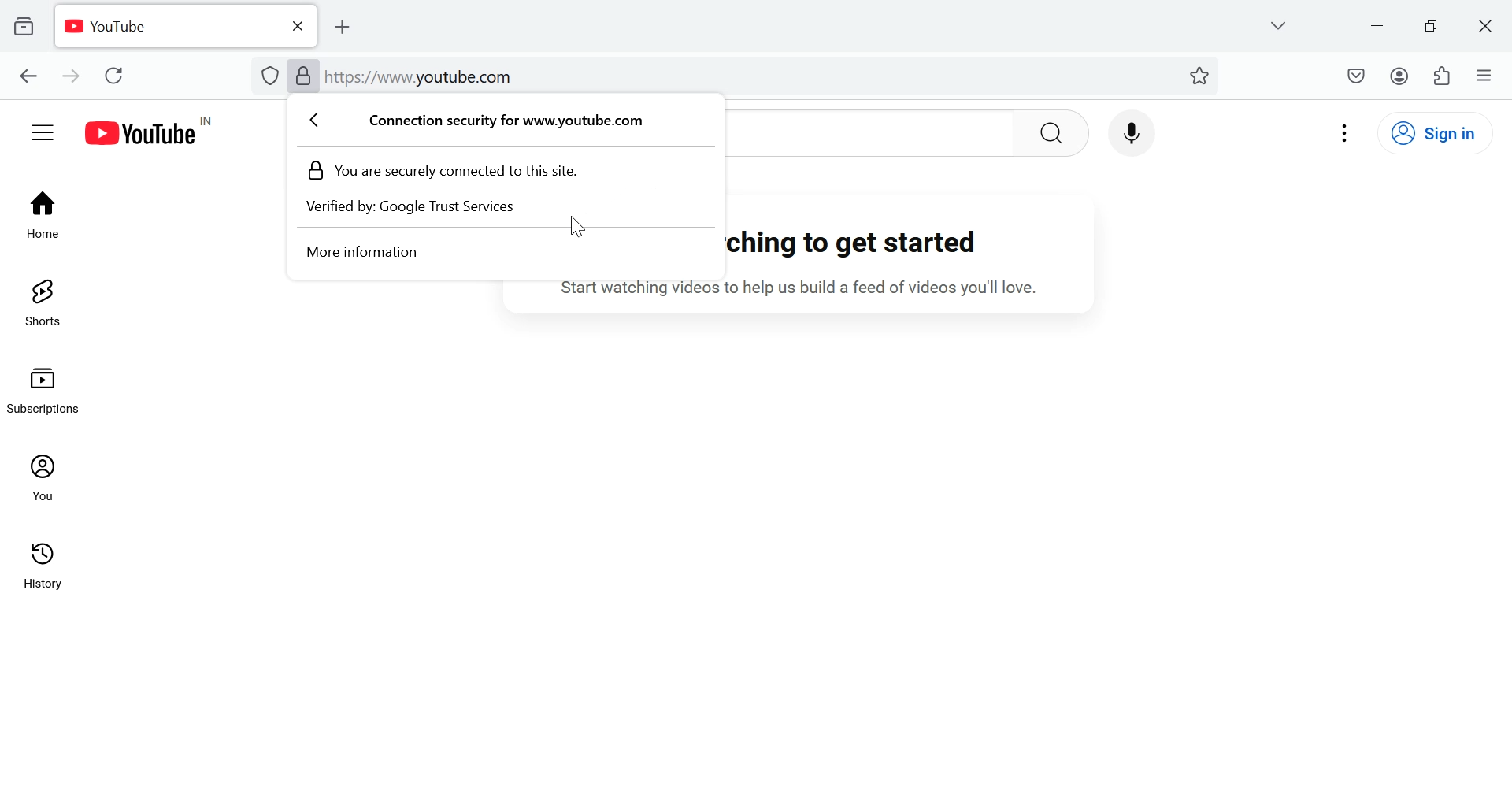 The height and width of the screenshot is (794, 1512). Describe the element at coordinates (24, 26) in the screenshot. I see `View recent browsing across windows and devices` at that location.